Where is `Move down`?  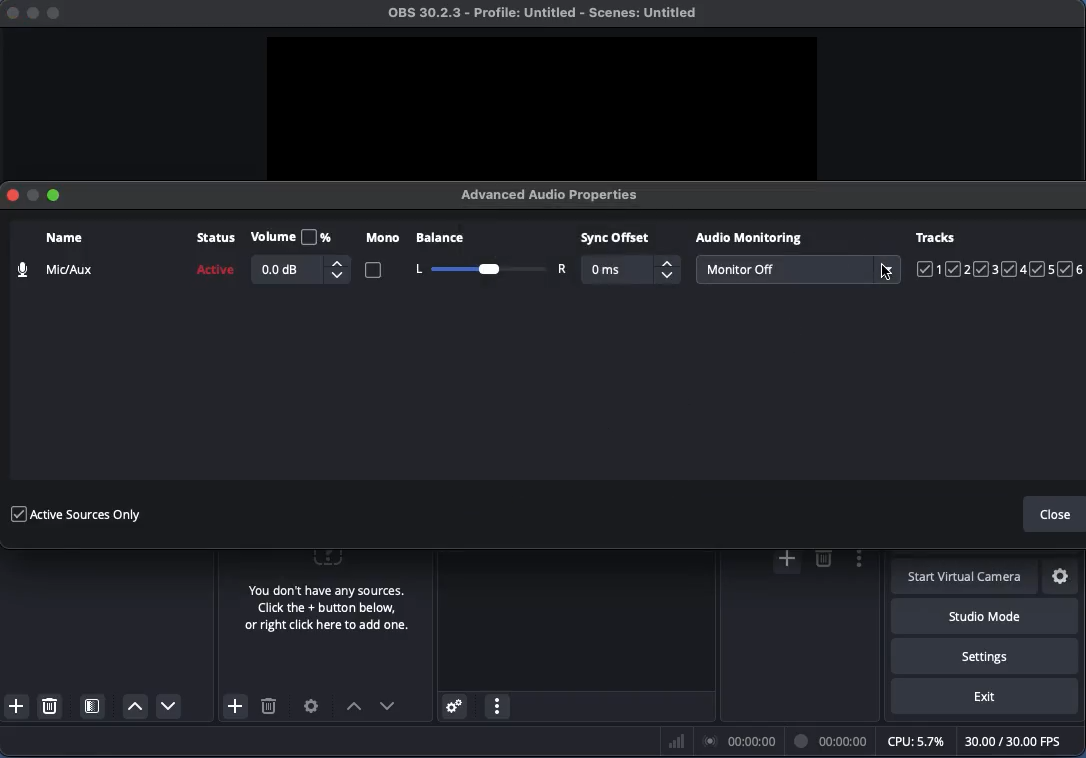 Move down is located at coordinates (167, 705).